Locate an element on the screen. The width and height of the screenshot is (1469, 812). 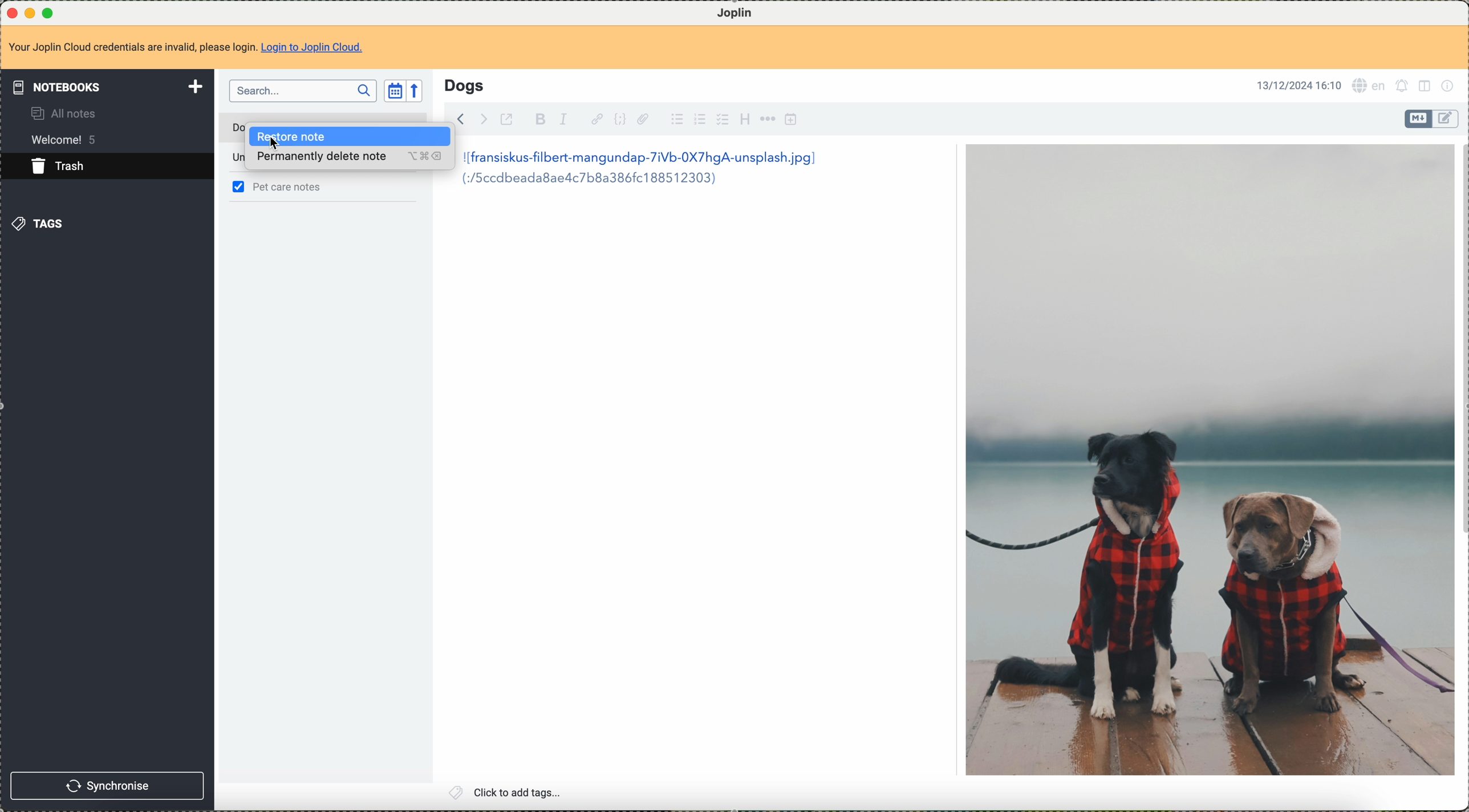
horizontal rule is located at coordinates (768, 120).